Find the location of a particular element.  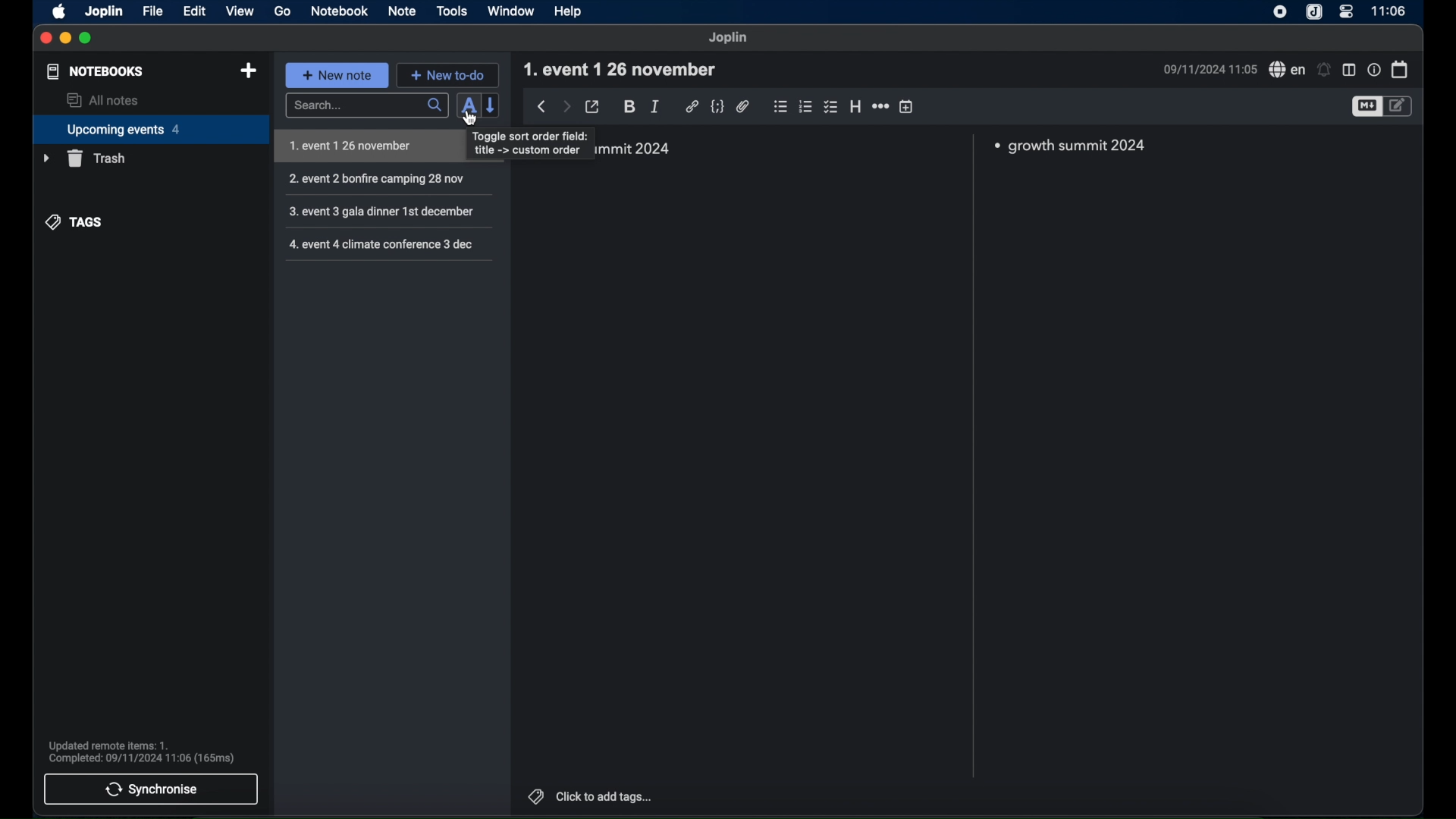

toggle sort is located at coordinates (470, 104).